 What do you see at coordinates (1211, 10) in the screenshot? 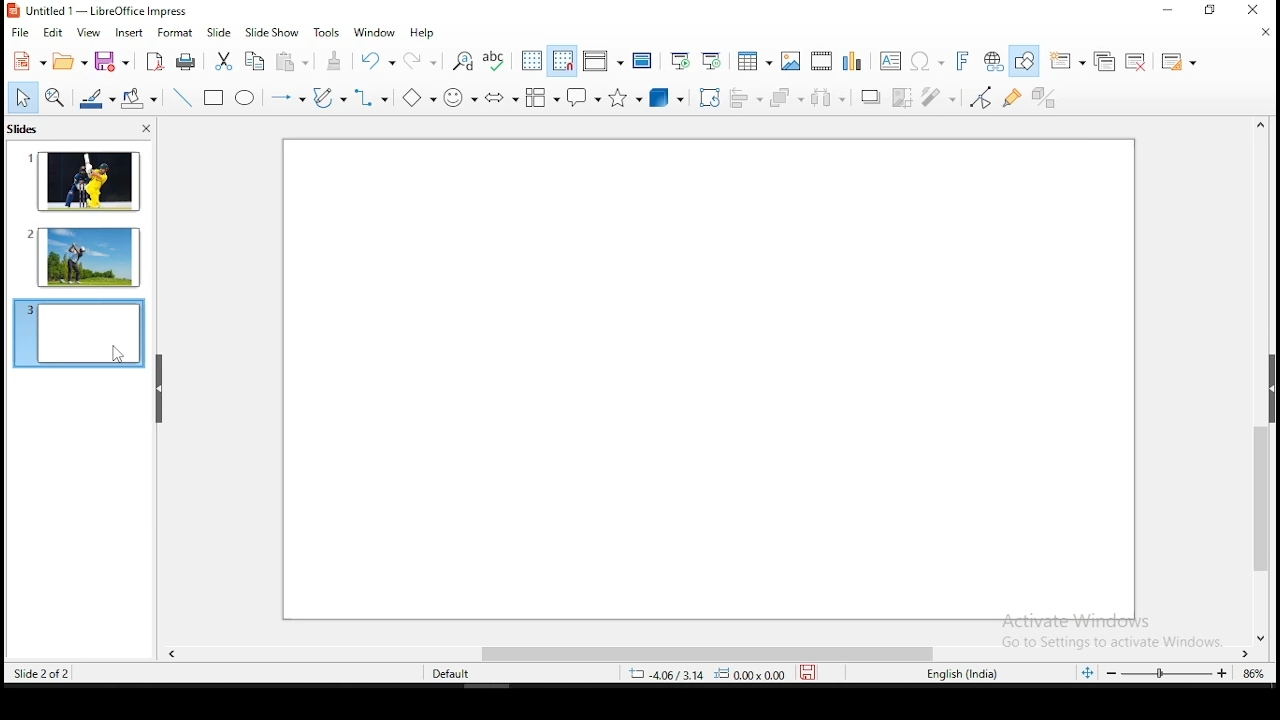
I see `restore` at bounding box center [1211, 10].